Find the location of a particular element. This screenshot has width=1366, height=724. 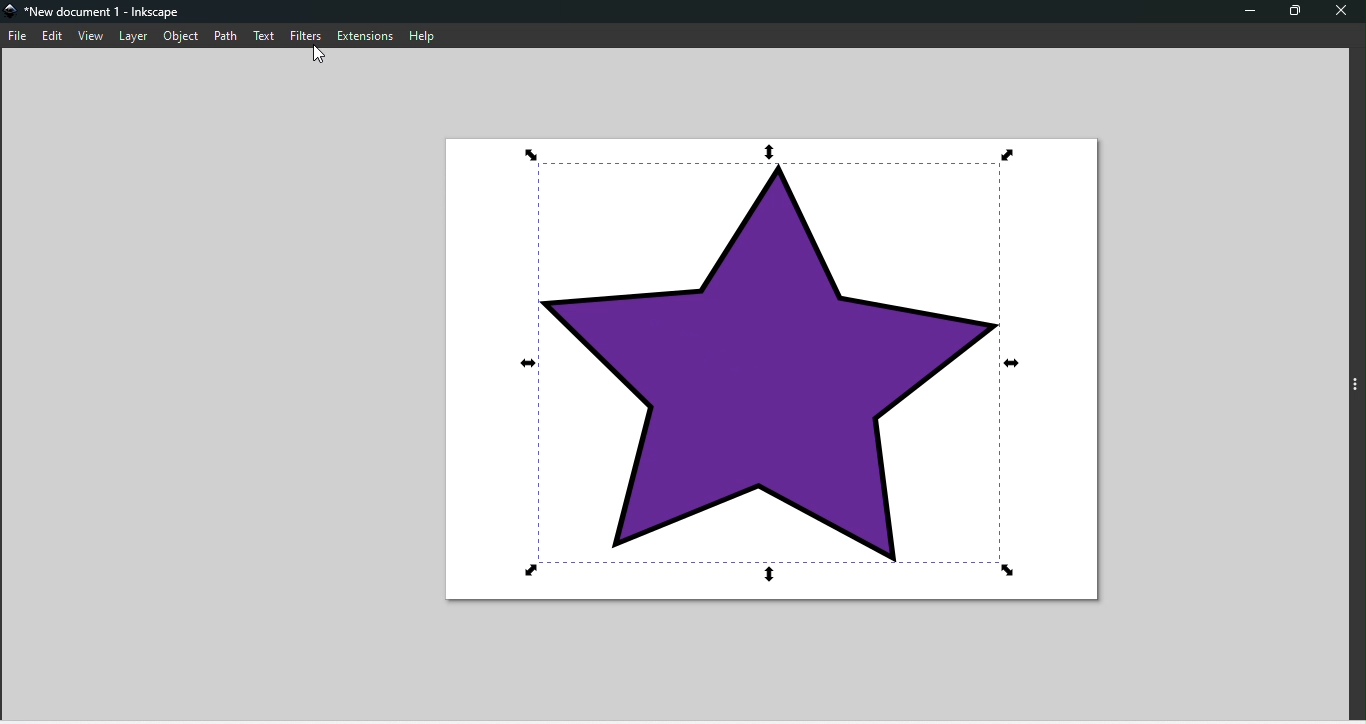

Close is located at coordinates (1346, 10).